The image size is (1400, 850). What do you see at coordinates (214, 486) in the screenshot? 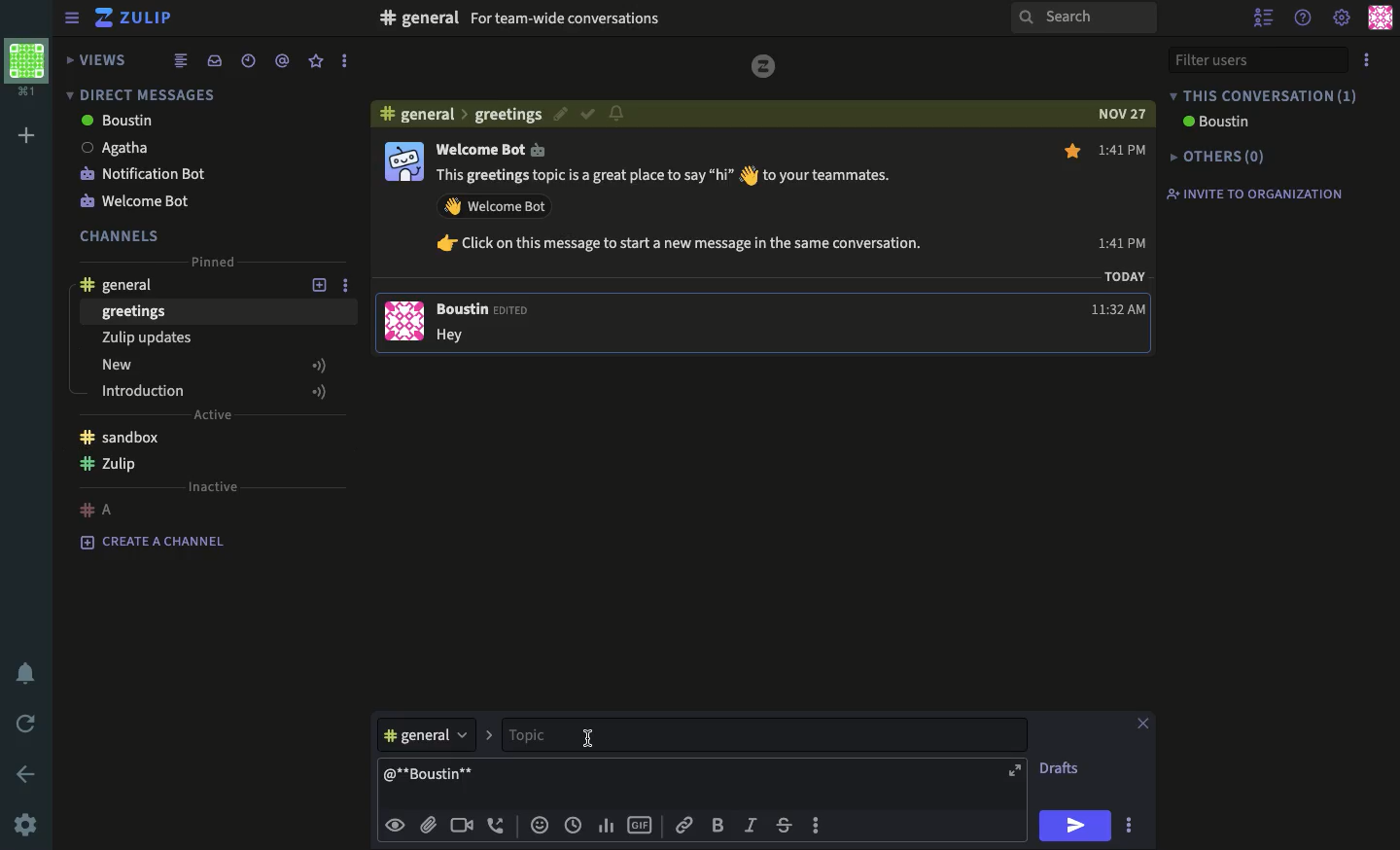
I see `inactive` at bounding box center [214, 486].